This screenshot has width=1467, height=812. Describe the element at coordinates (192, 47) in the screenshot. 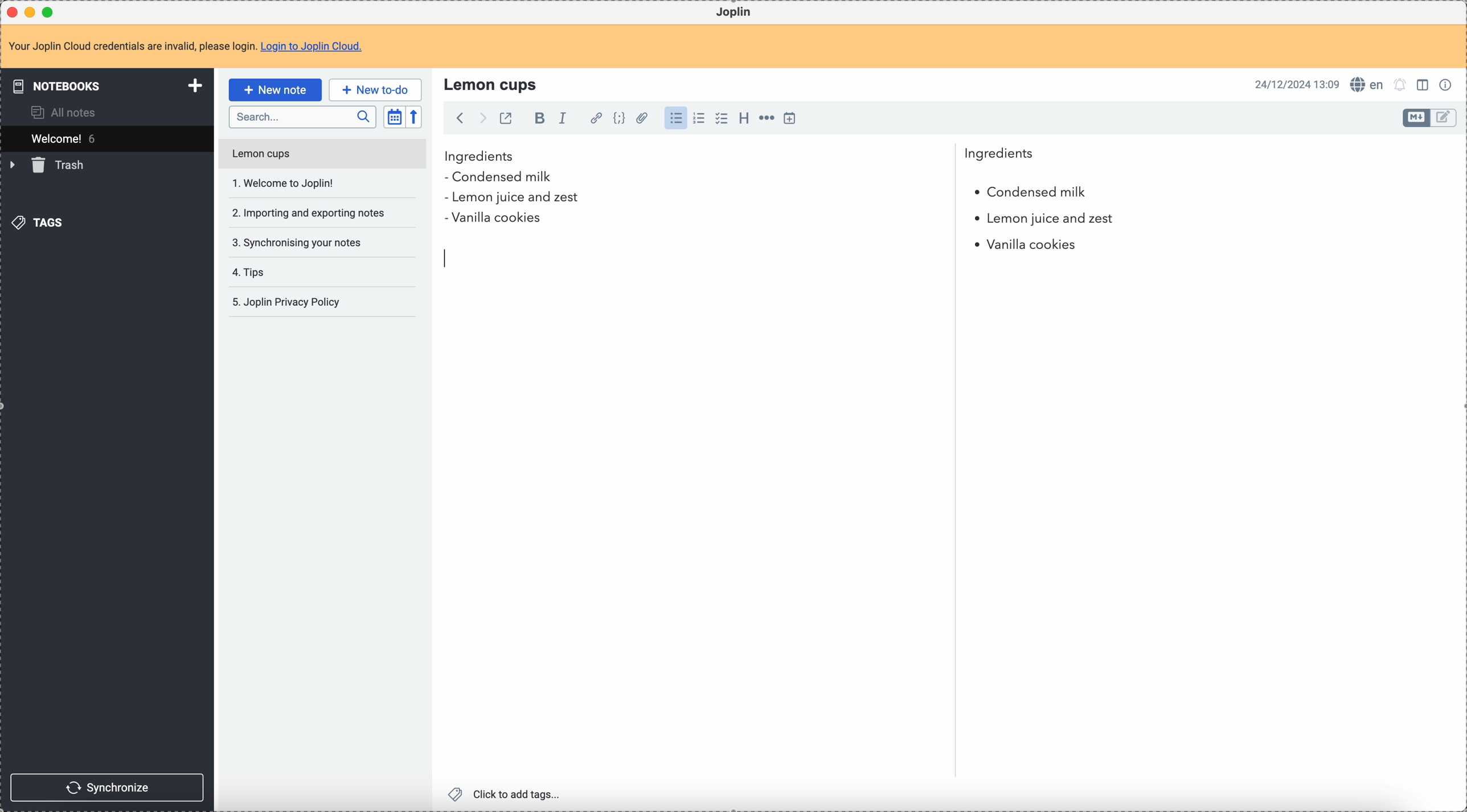

I see `note` at that location.